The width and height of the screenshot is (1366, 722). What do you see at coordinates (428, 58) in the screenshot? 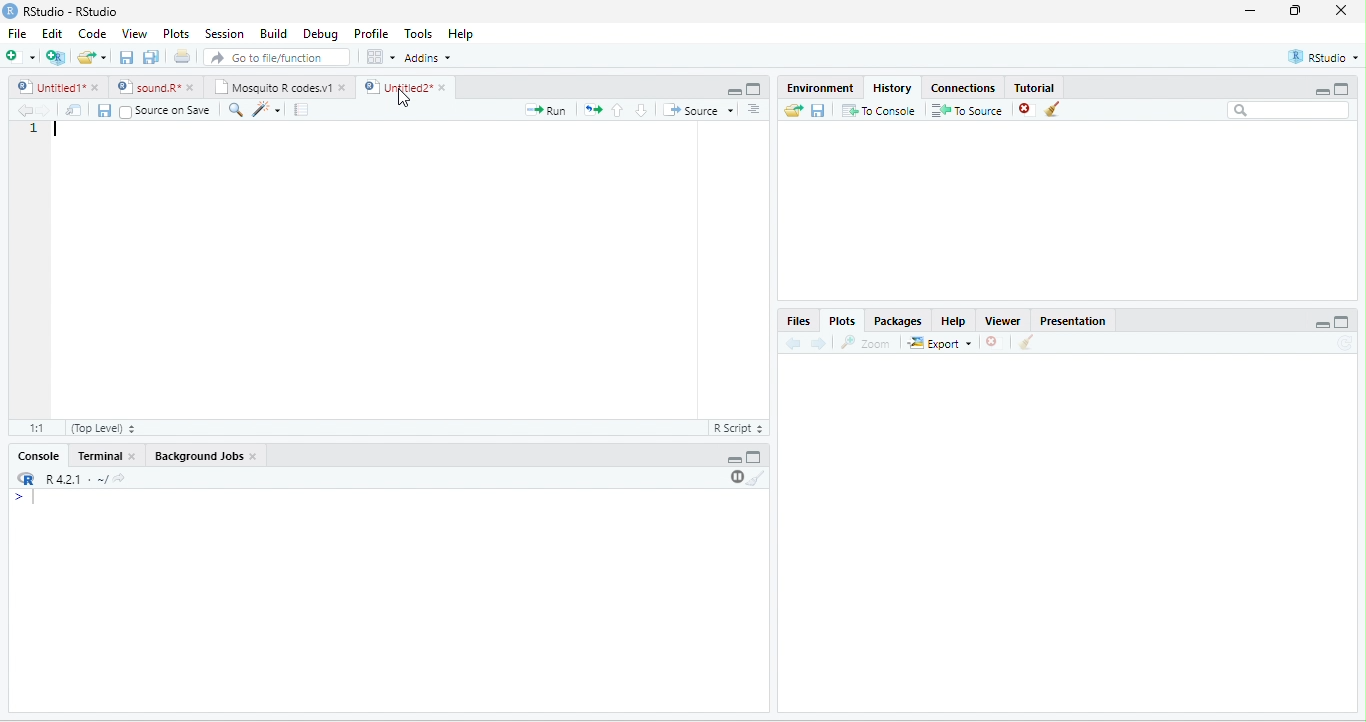
I see `Addins` at bounding box center [428, 58].